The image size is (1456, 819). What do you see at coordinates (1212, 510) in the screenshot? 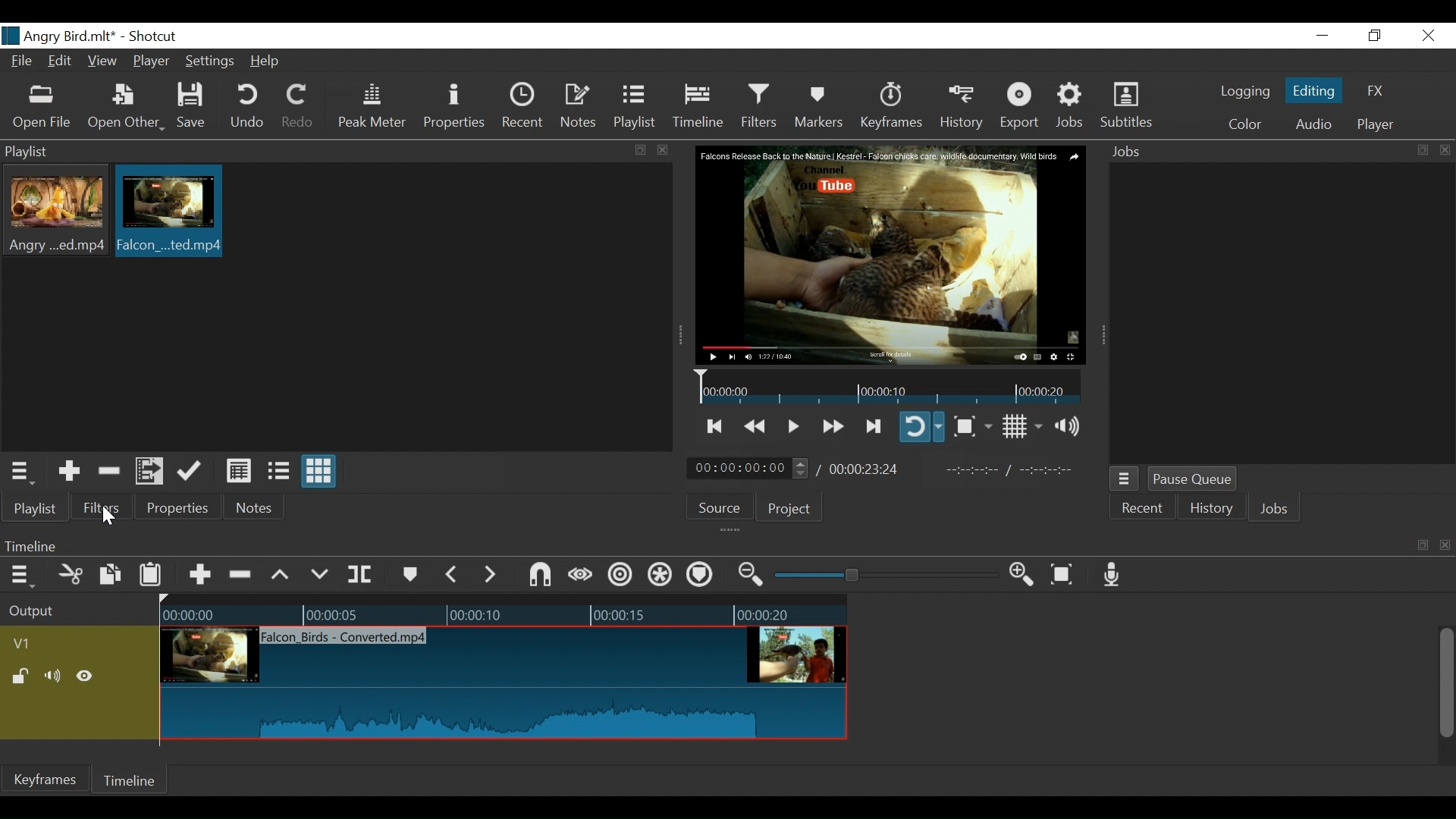
I see `History` at bounding box center [1212, 510].